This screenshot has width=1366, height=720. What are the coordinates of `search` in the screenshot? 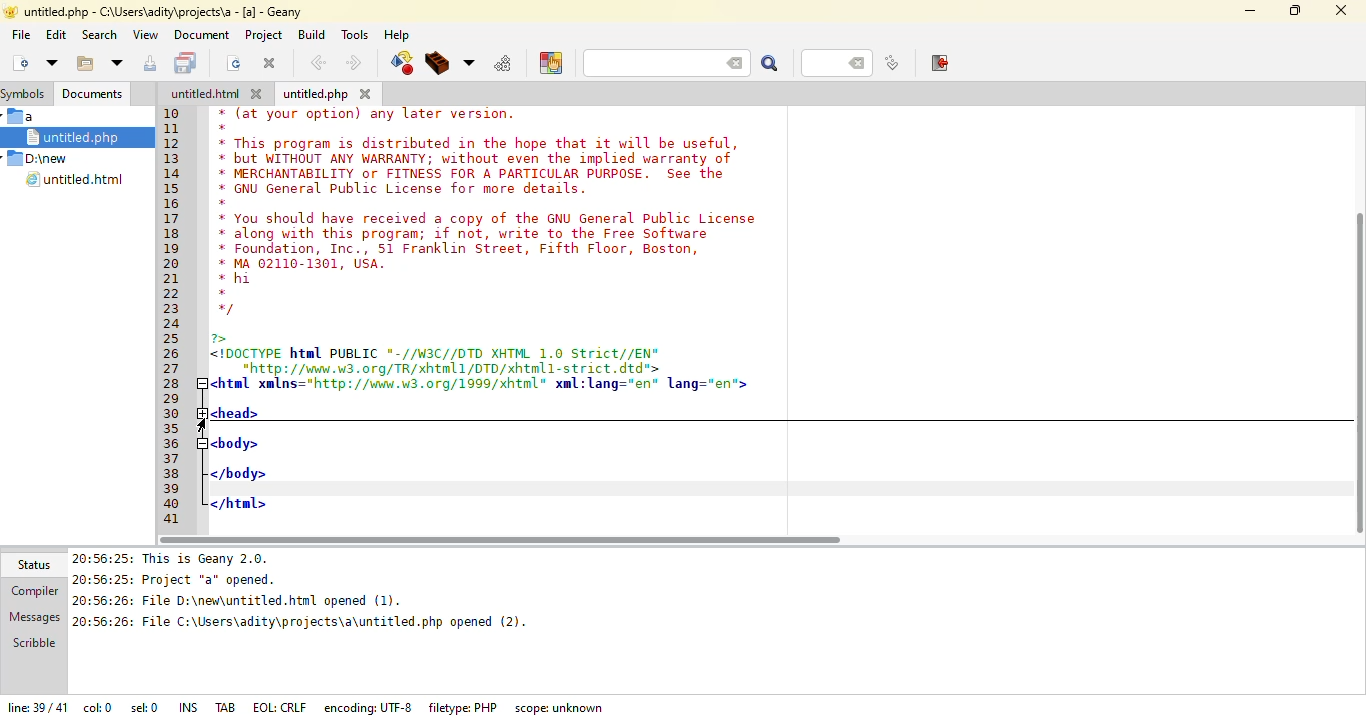 It's located at (646, 64).